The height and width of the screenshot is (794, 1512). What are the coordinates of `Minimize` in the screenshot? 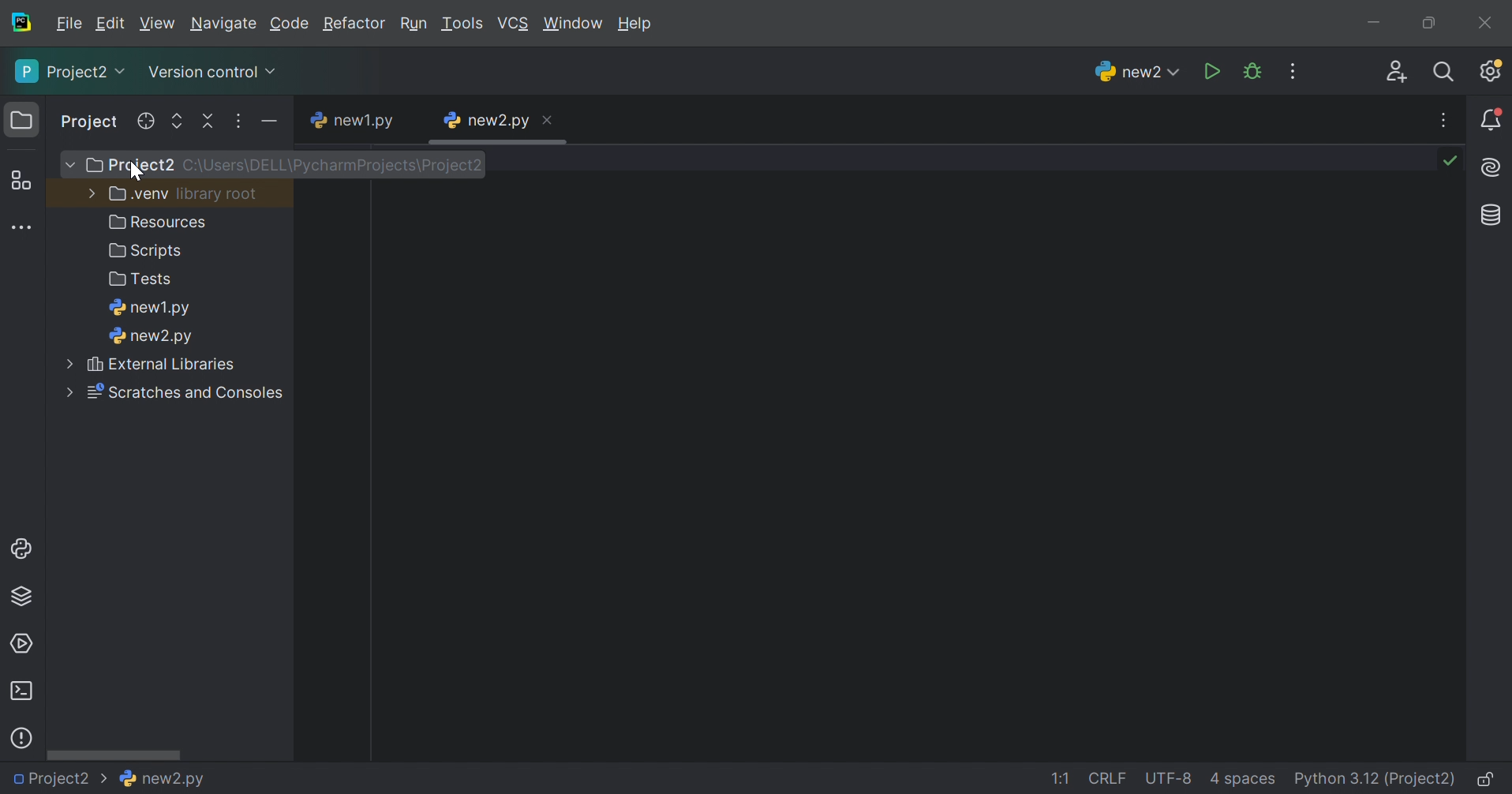 It's located at (1372, 23).